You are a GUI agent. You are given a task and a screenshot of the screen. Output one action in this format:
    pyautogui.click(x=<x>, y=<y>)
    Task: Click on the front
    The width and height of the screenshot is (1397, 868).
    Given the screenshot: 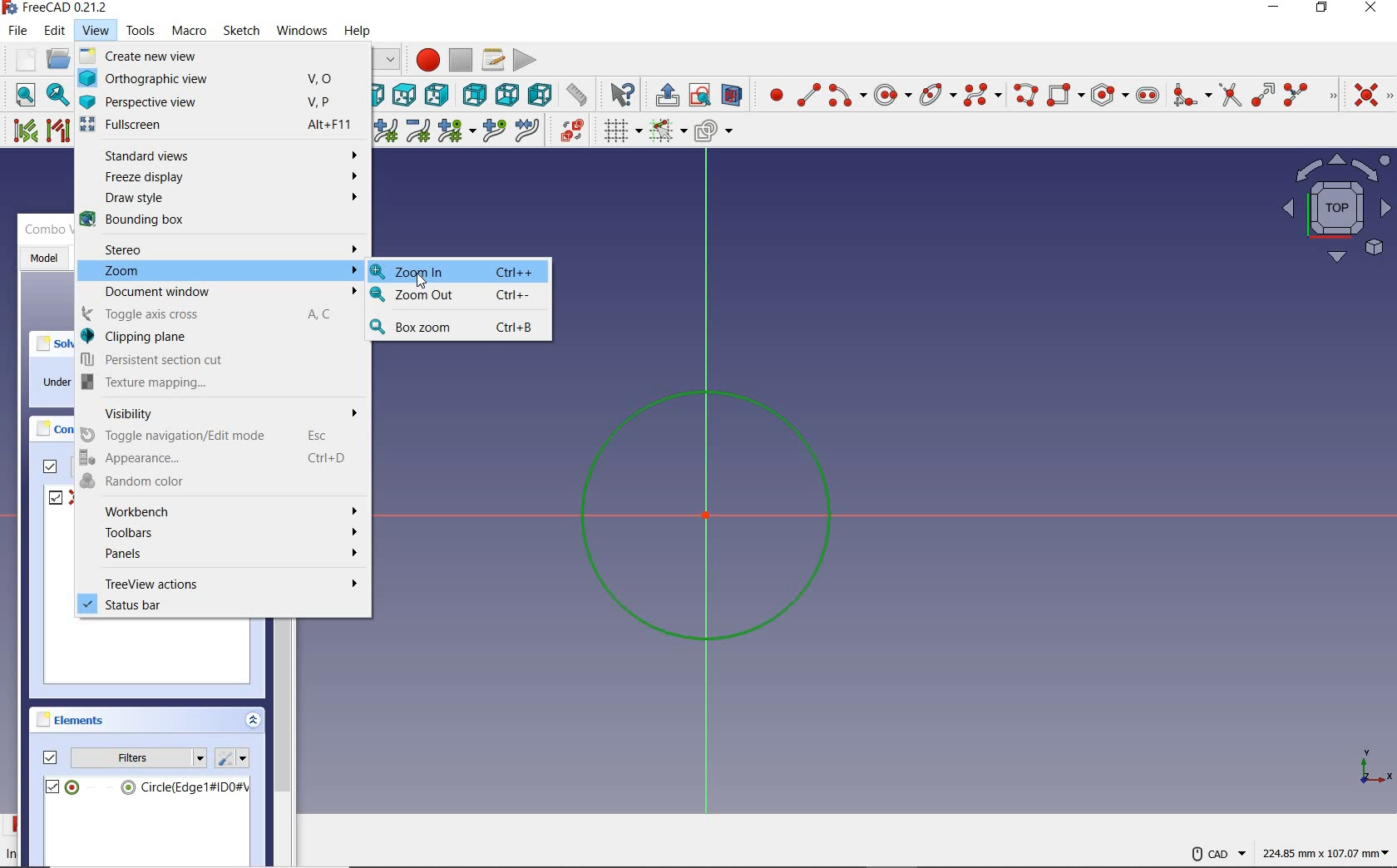 What is the action you would take?
    pyautogui.click(x=379, y=93)
    